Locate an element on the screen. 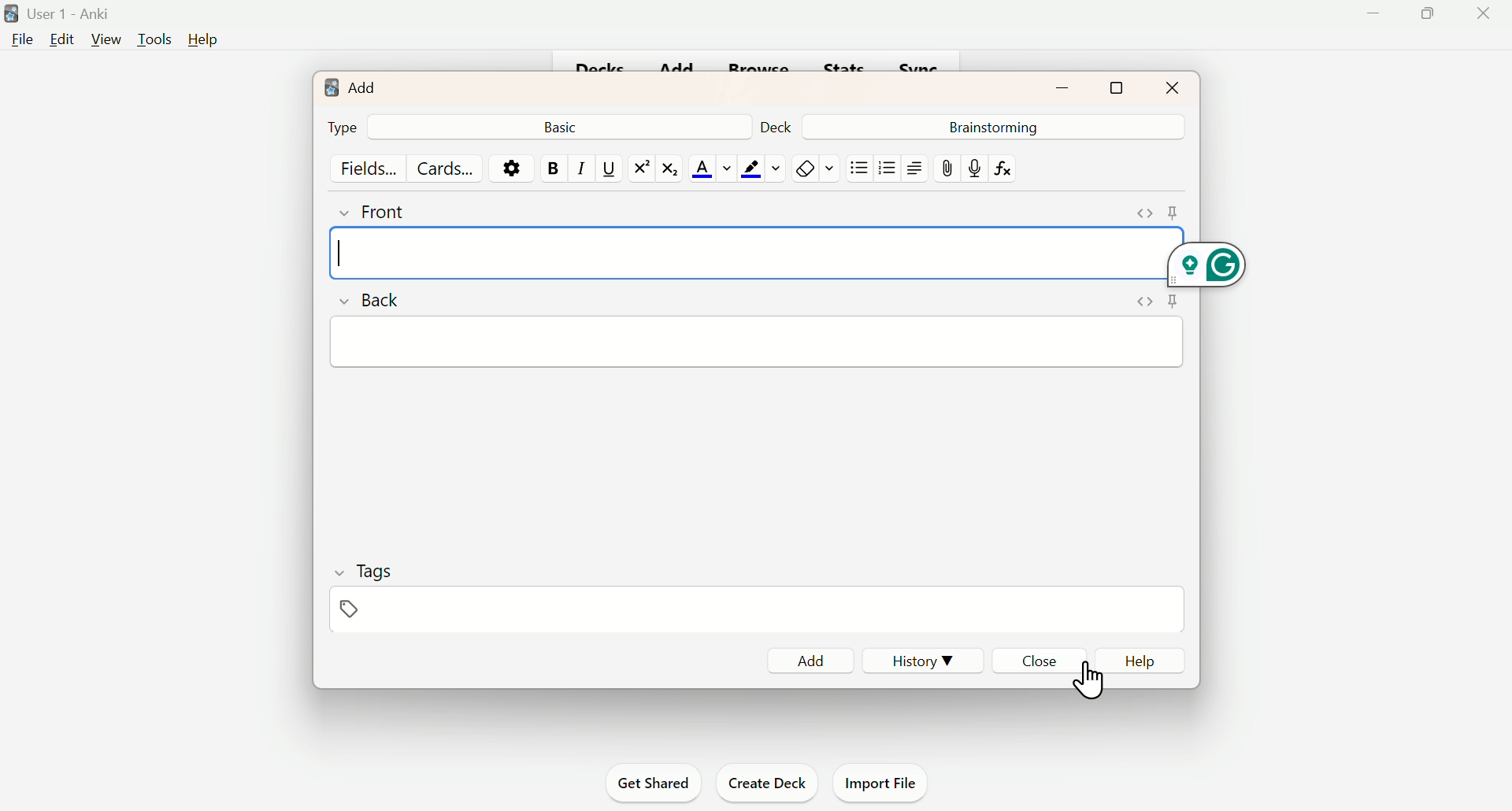 The image size is (1512, 811). Organised List is located at coordinates (884, 167).